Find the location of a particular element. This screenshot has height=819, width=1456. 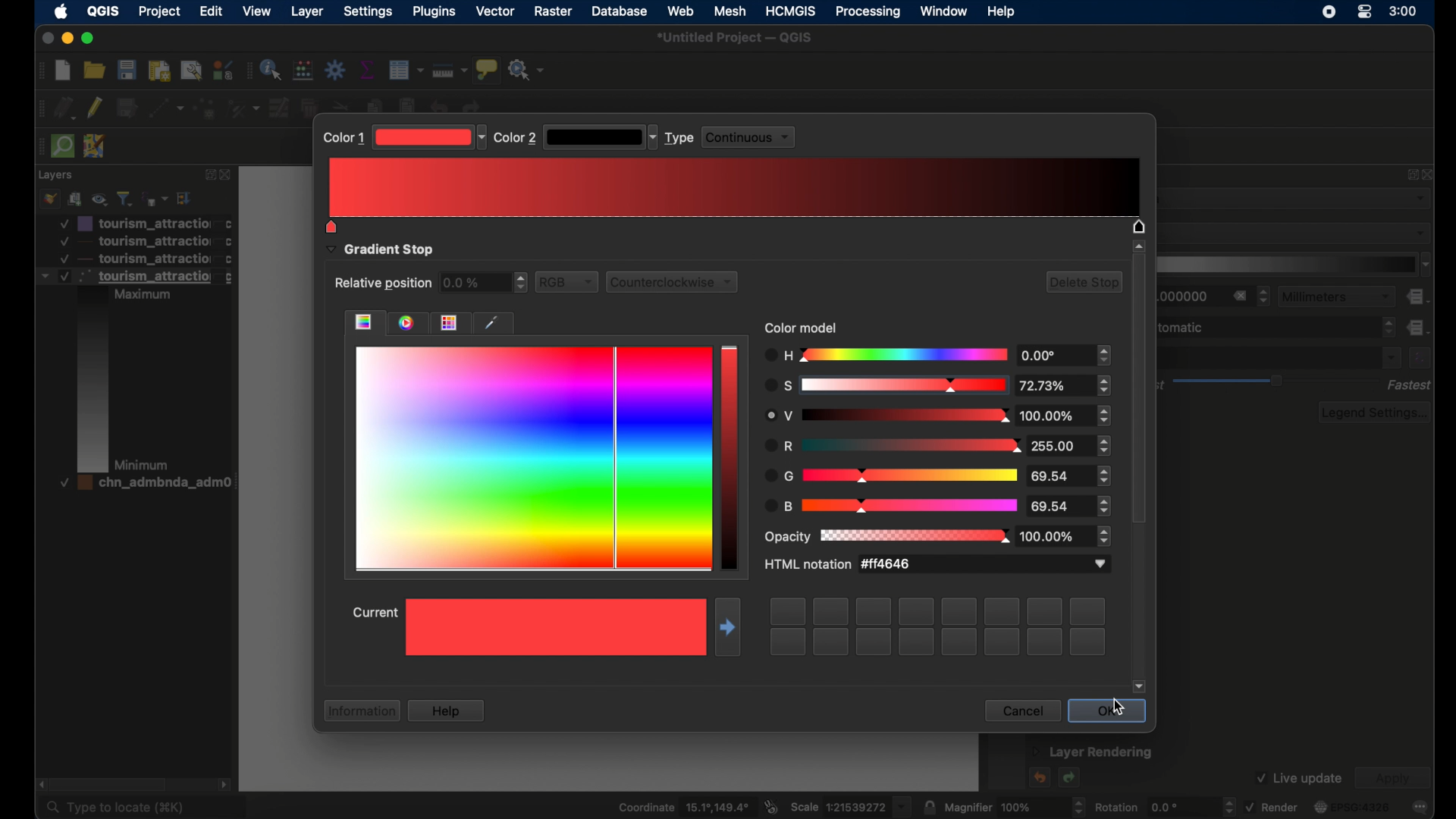

add group is located at coordinates (75, 199).